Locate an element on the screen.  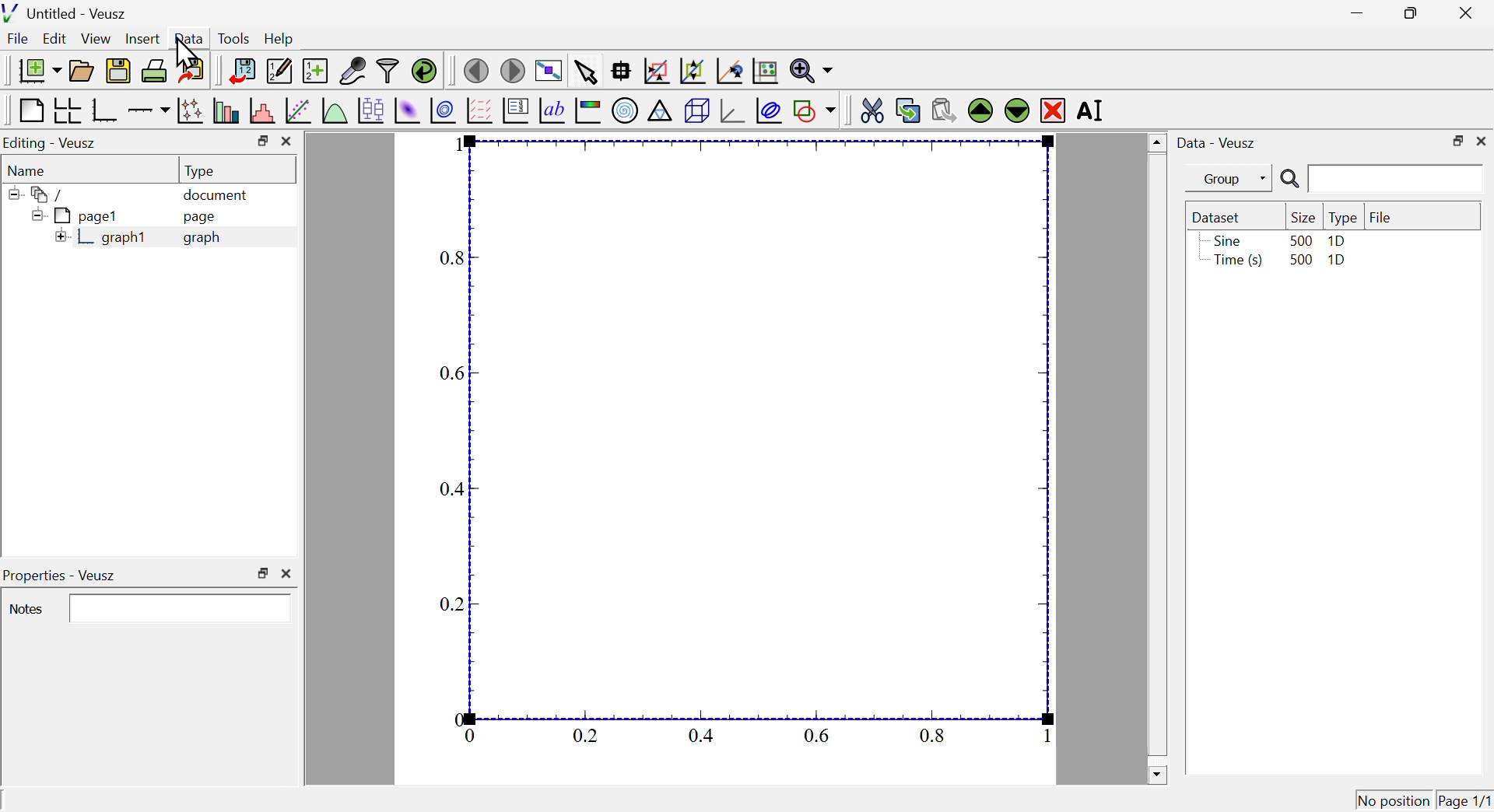
plot a function is located at coordinates (334, 110).